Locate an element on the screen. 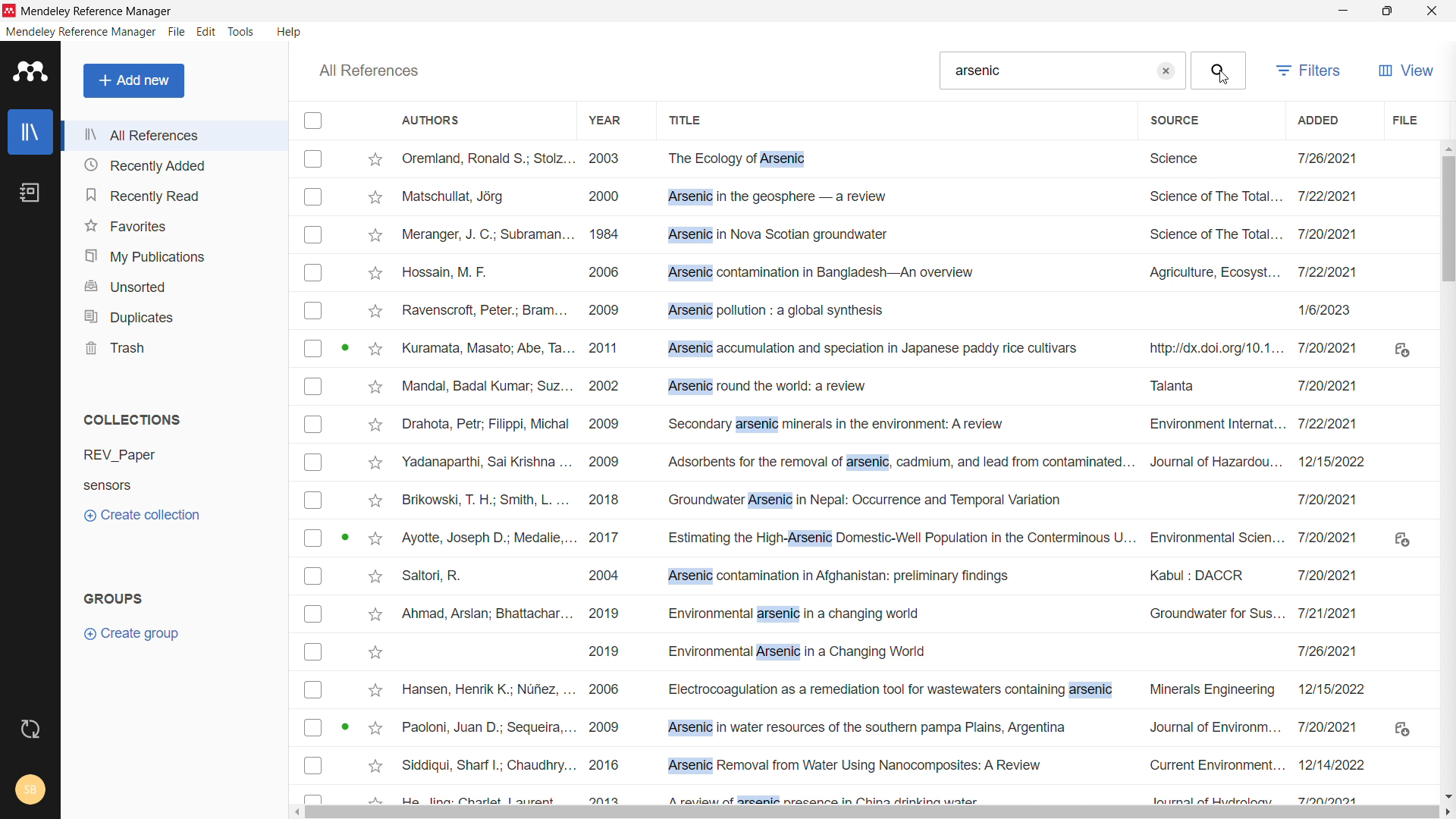 Image resolution: width=1456 pixels, height=819 pixels. scroll right is located at coordinates (1447, 811).